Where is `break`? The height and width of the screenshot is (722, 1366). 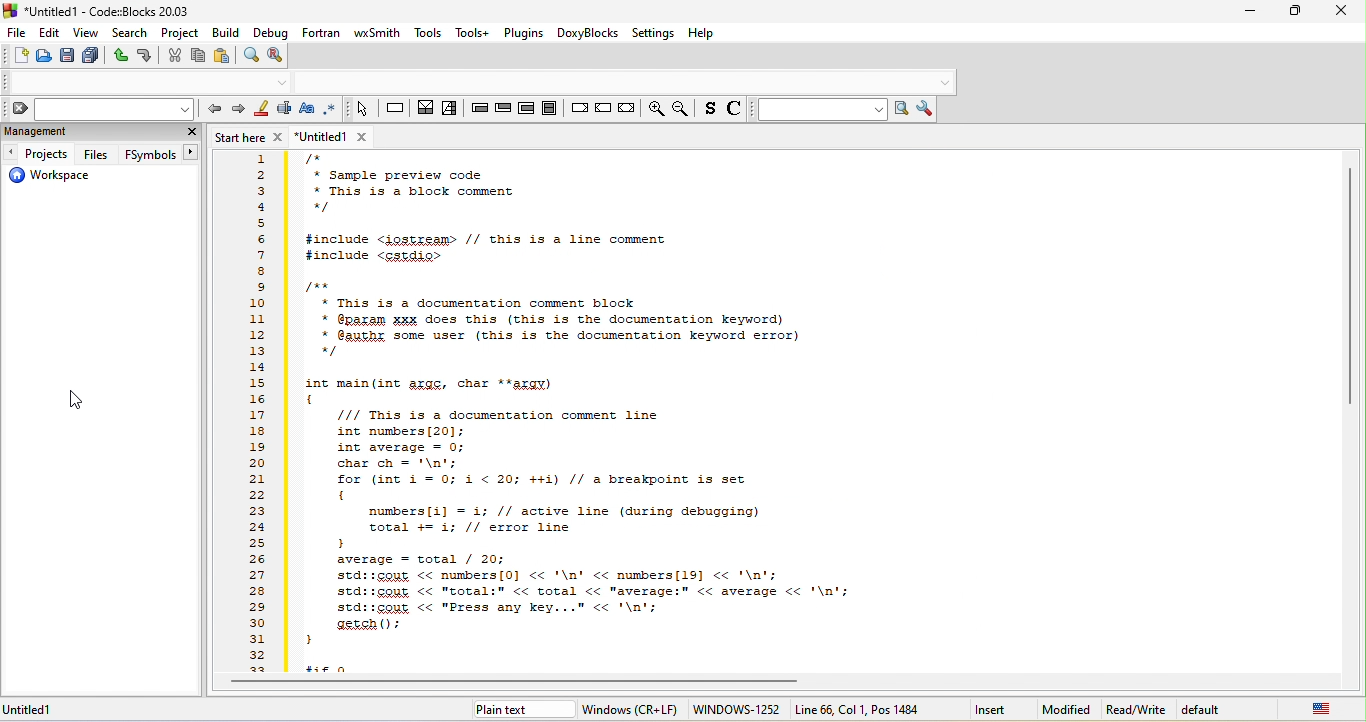 break is located at coordinates (578, 106).